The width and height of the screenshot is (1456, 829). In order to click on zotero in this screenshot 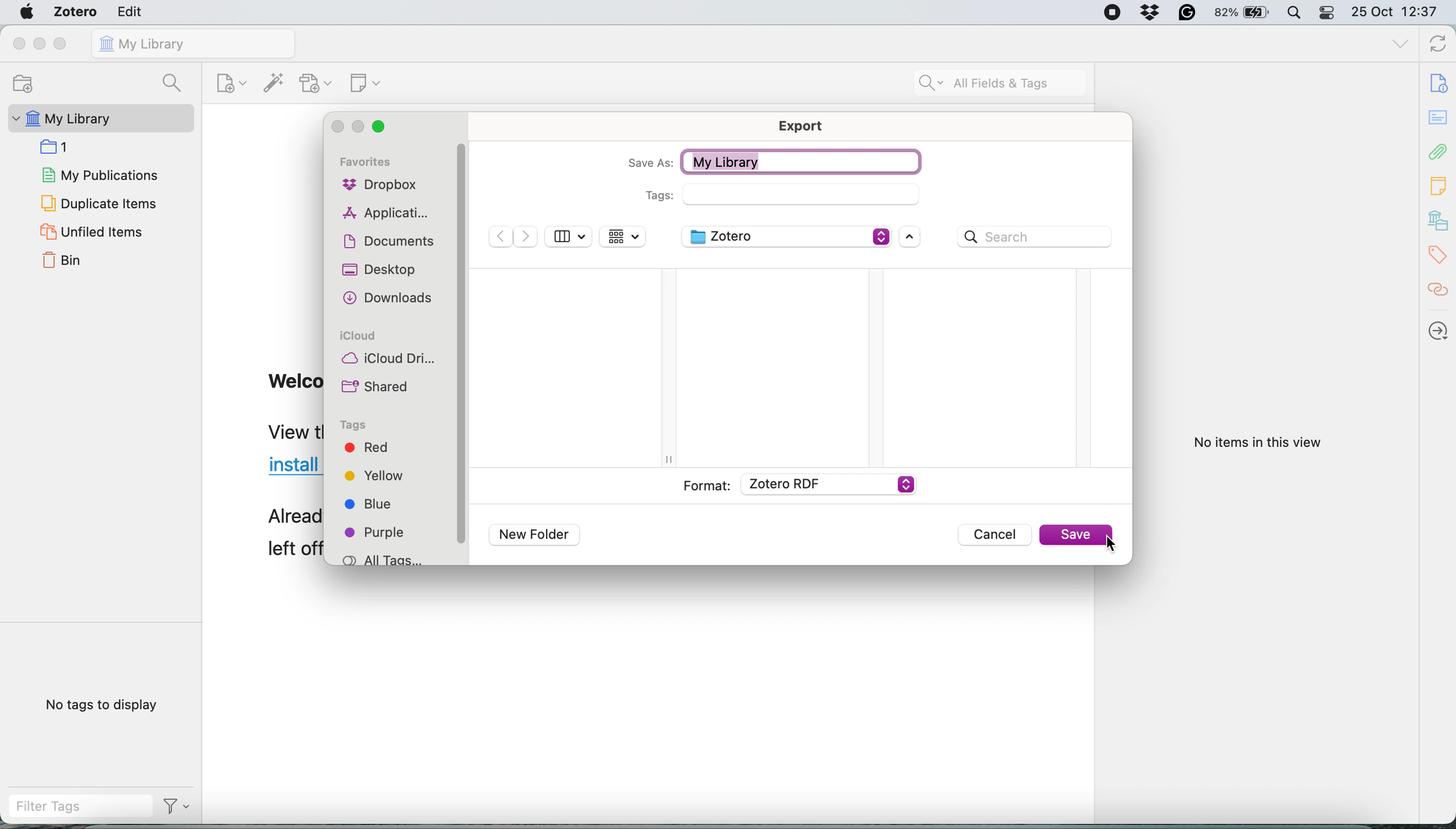, I will do `click(77, 10)`.